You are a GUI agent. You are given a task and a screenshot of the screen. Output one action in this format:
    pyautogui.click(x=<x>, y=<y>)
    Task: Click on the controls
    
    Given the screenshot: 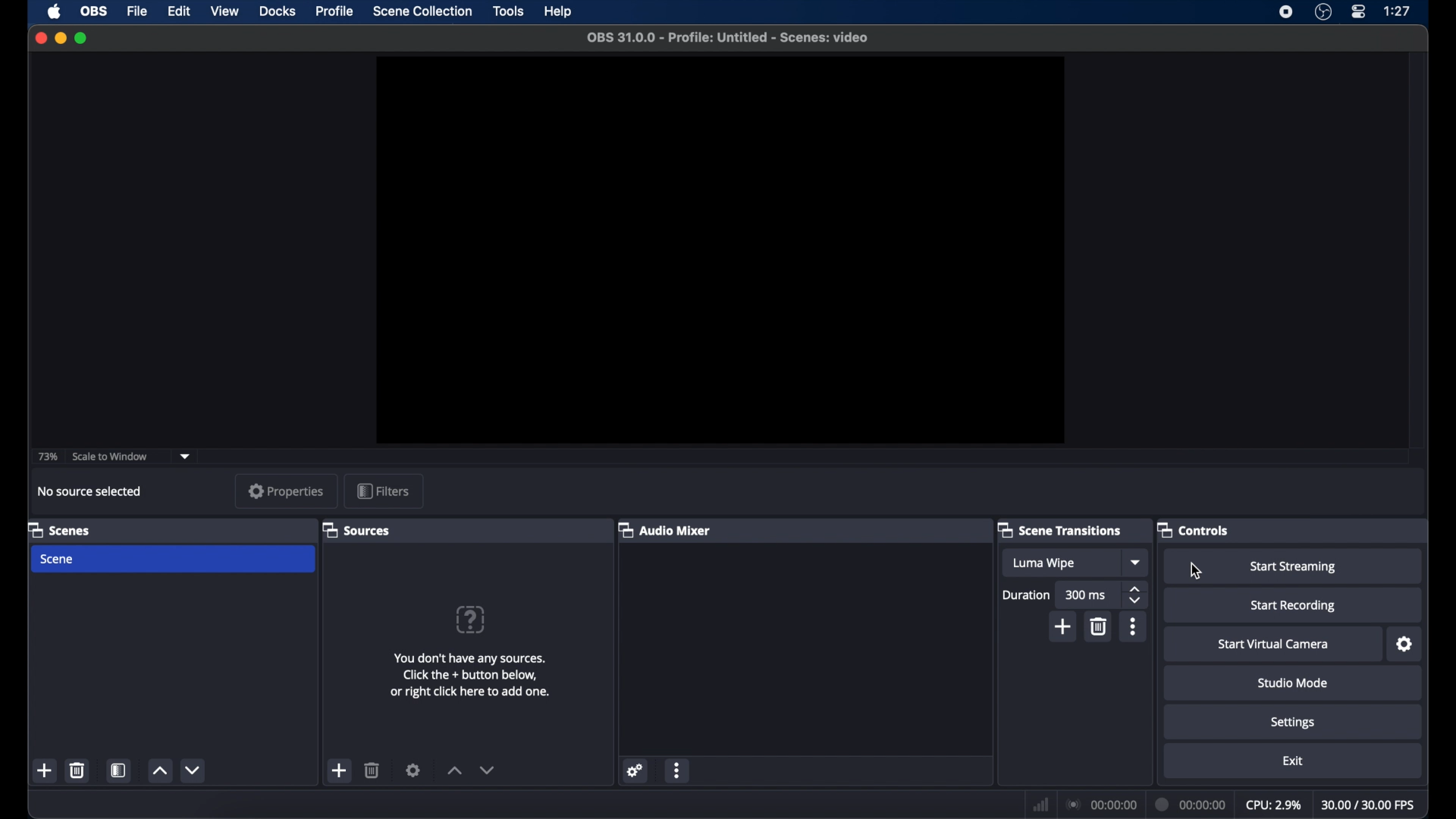 What is the action you would take?
    pyautogui.click(x=1192, y=529)
    